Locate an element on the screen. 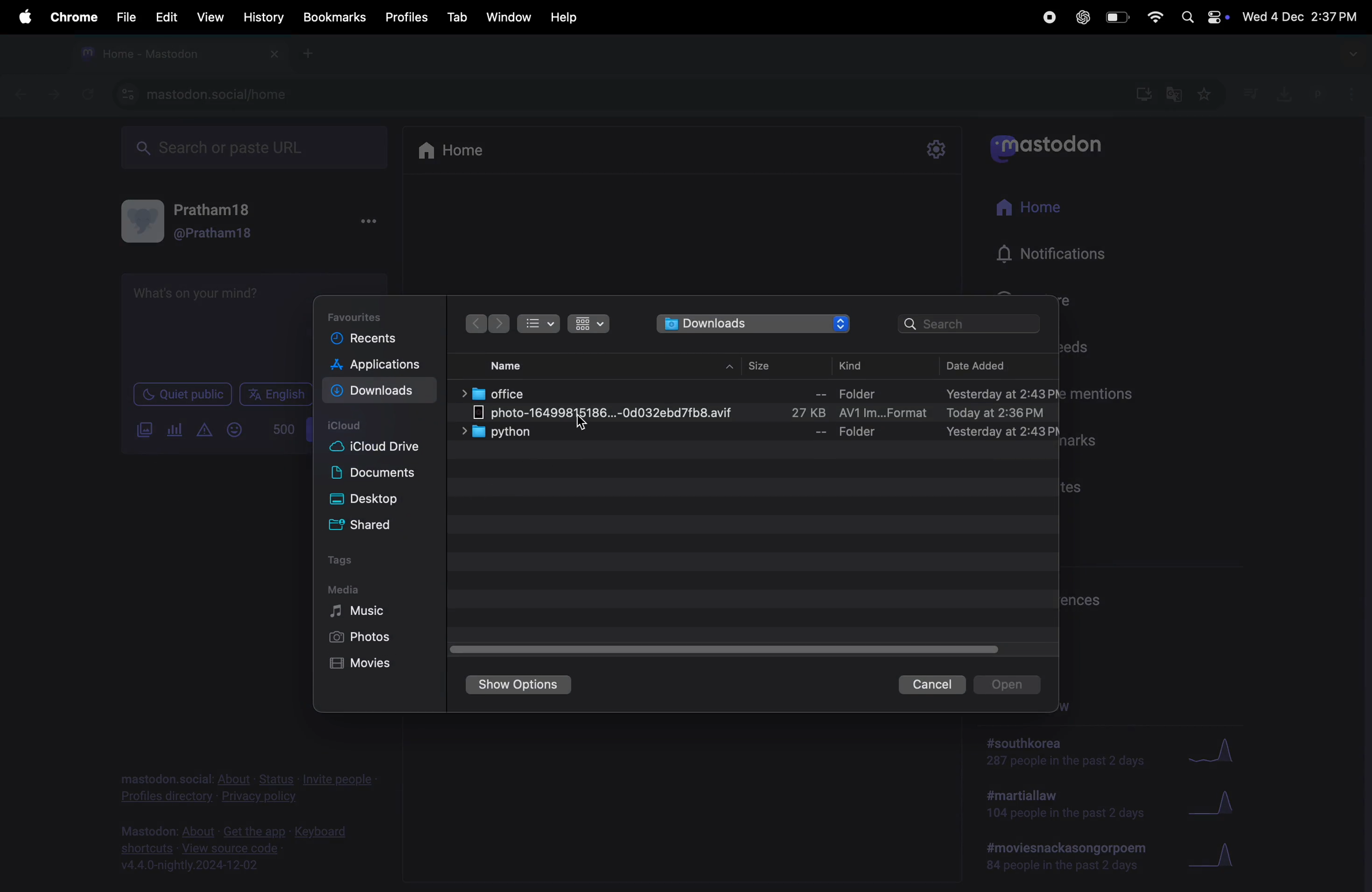 The width and height of the screenshot is (1372, 892). pratham@18 is located at coordinates (198, 225).